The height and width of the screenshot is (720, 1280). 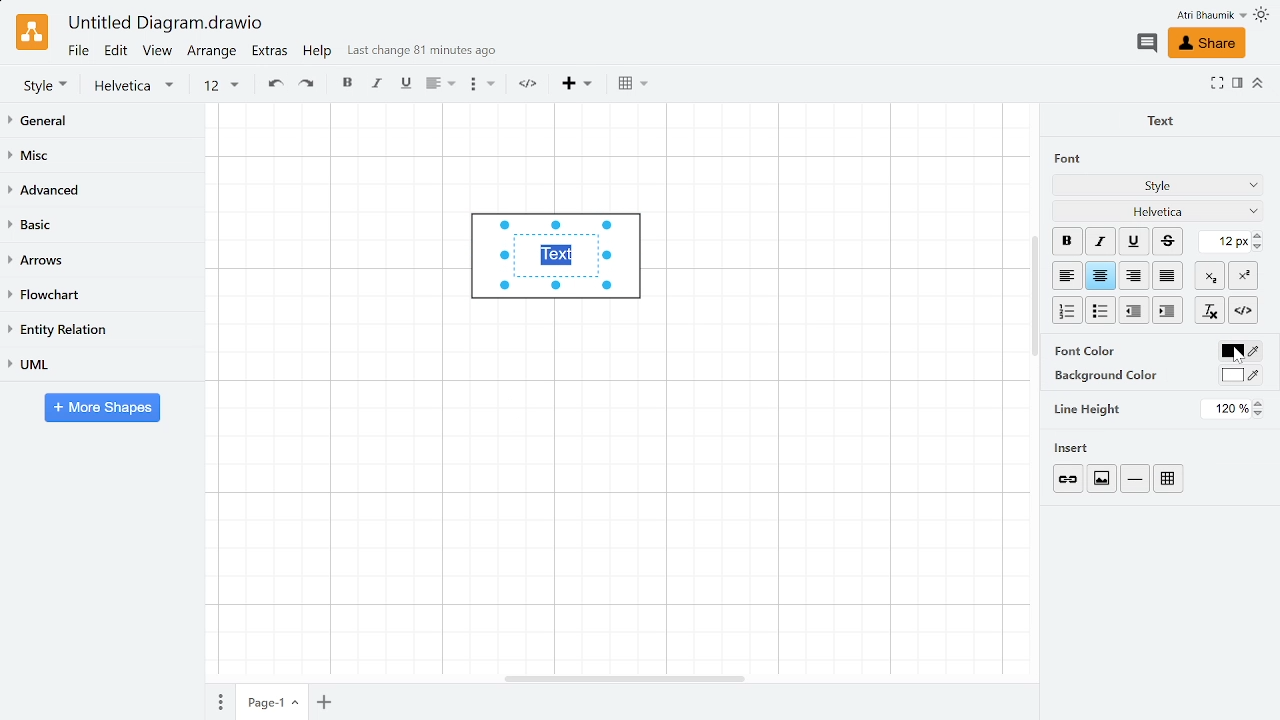 What do you see at coordinates (1225, 242) in the screenshot?
I see `Font size` at bounding box center [1225, 242].